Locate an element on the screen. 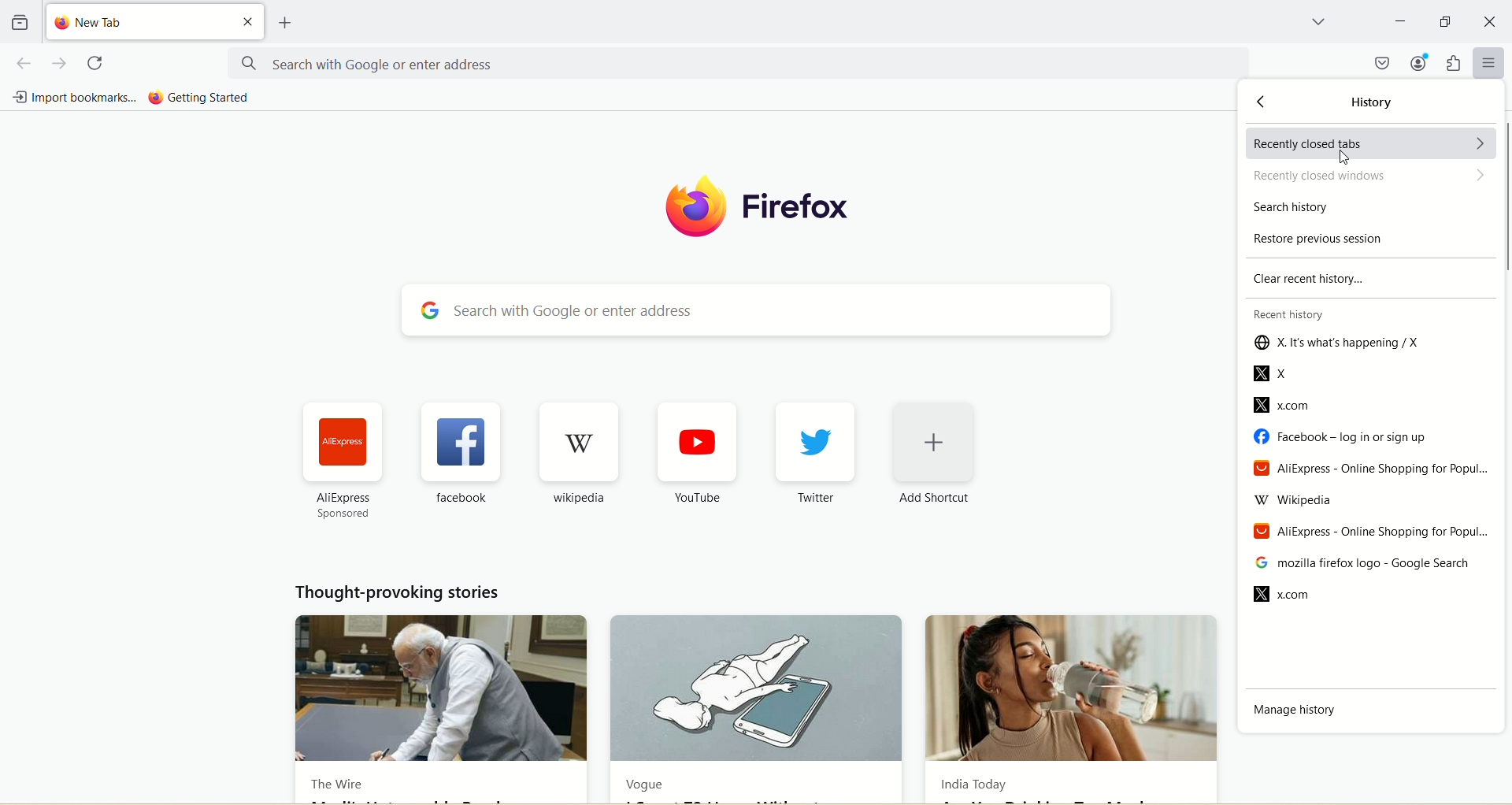  search with google or enter address is located at coordinates (736, 63).